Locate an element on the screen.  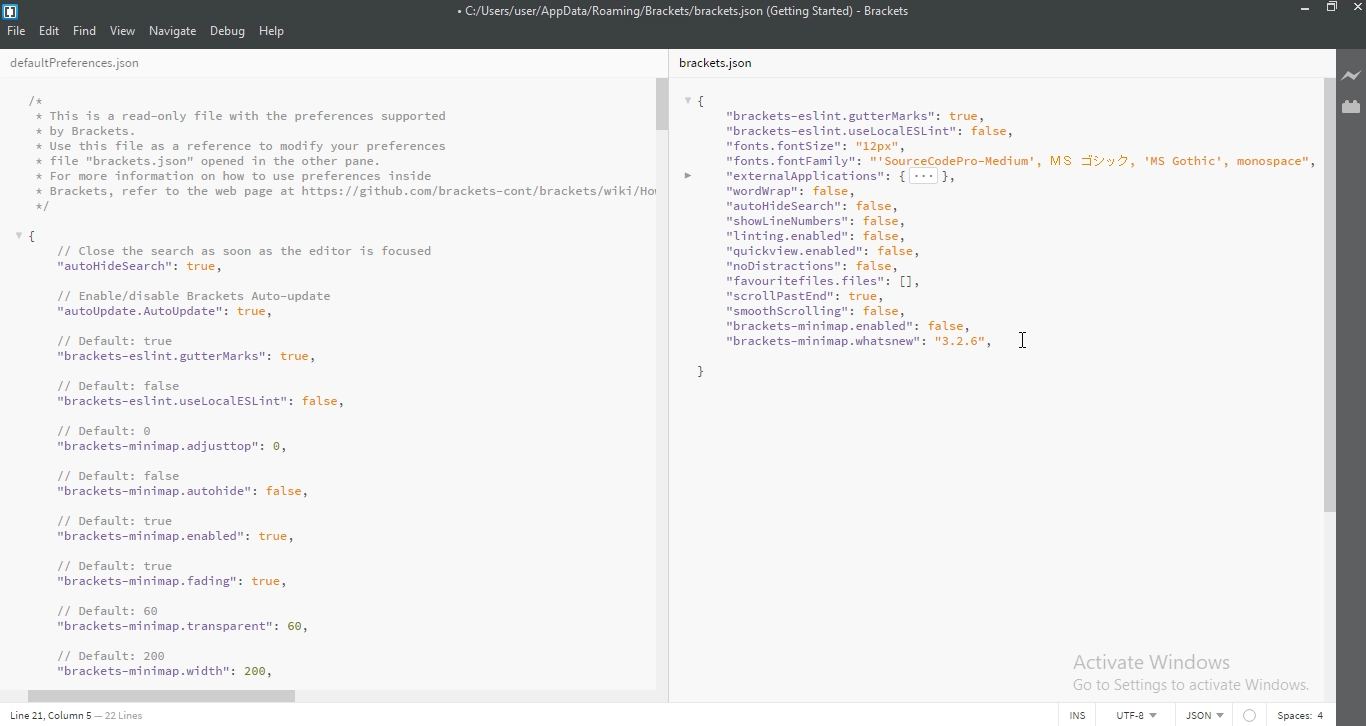
C:/Users/user/AppData/Roaming/Brackets/brackets.json (Getting Started) - Brackets is located at coordinates (687, 10).